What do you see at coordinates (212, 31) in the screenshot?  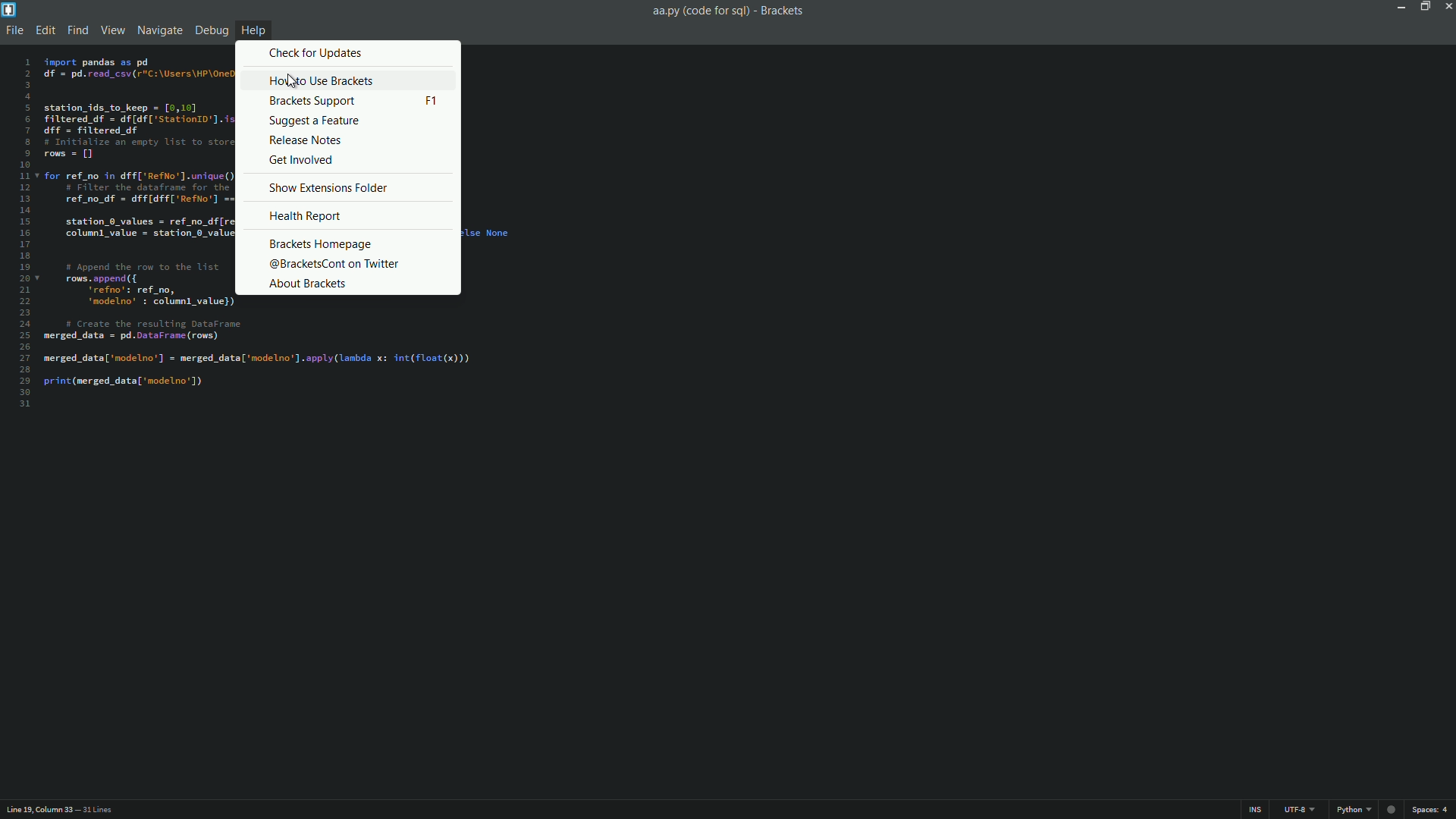 I see `debug menu` at bounding box center [212, 31].